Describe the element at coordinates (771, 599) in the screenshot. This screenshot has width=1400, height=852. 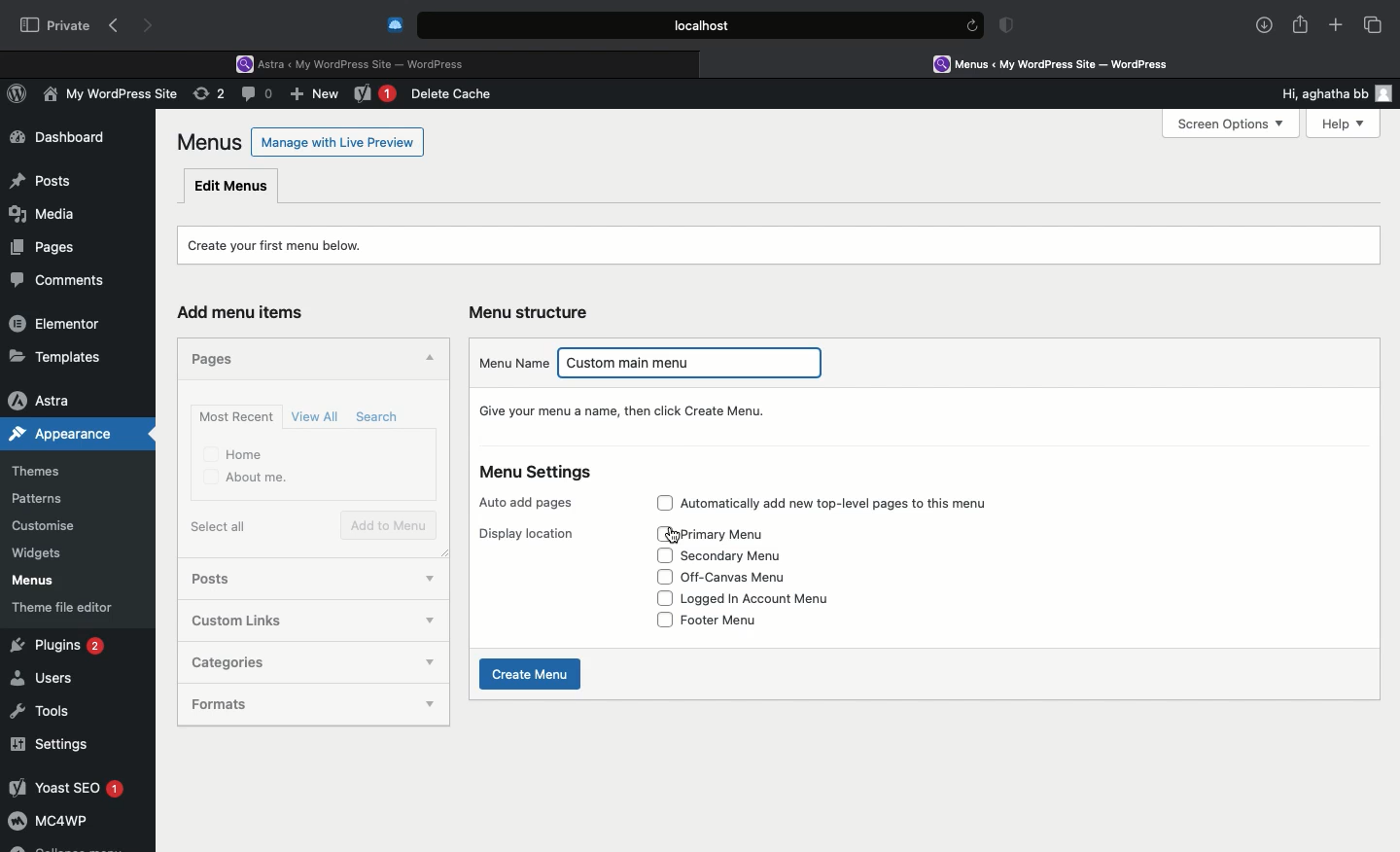
I see `Logged in account menu` at that location.